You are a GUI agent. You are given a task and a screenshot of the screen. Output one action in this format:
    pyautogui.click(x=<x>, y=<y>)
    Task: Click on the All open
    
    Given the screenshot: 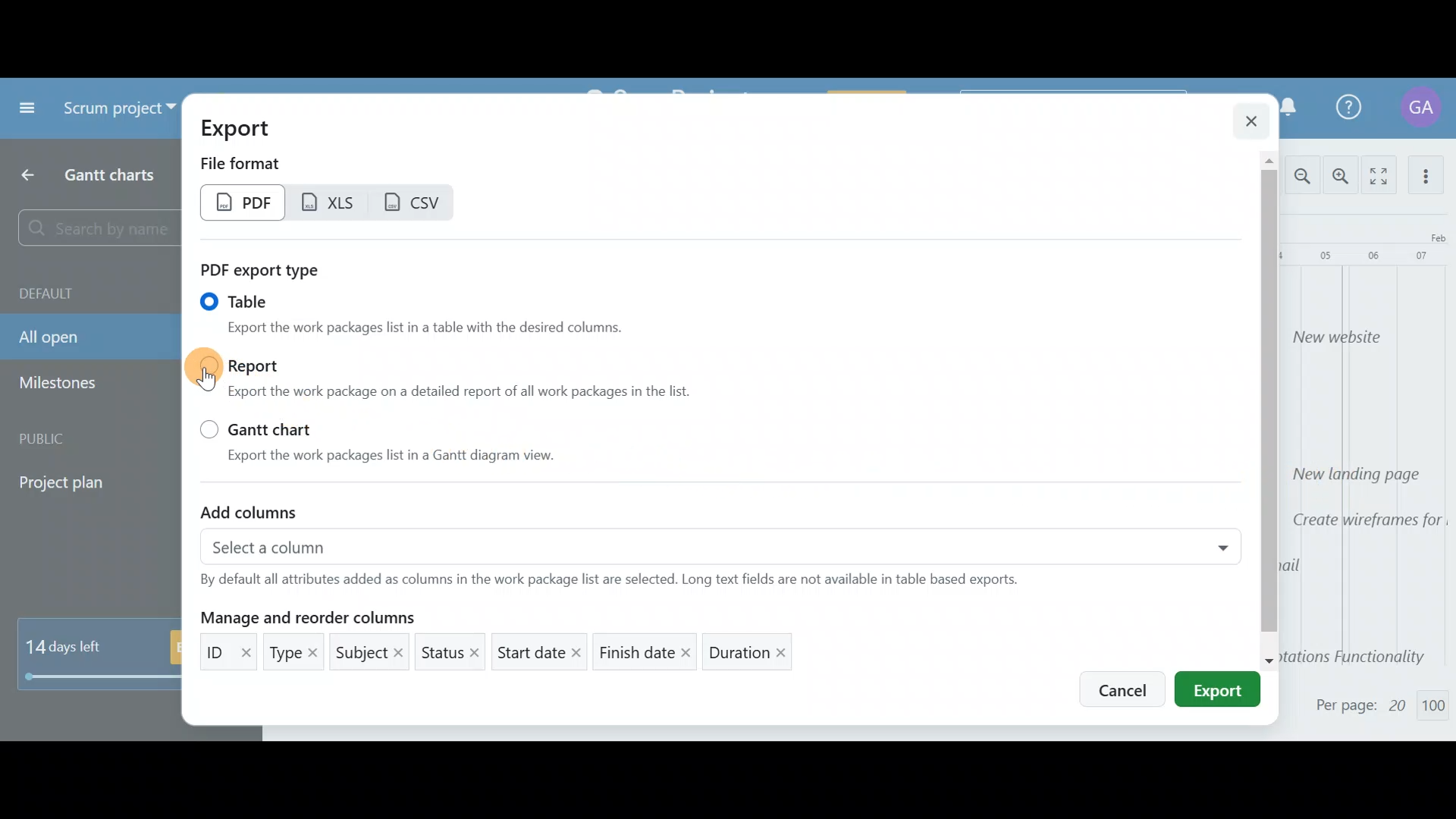 What is the action you would take?
    pyautogui.click(x=83, y=341)
    